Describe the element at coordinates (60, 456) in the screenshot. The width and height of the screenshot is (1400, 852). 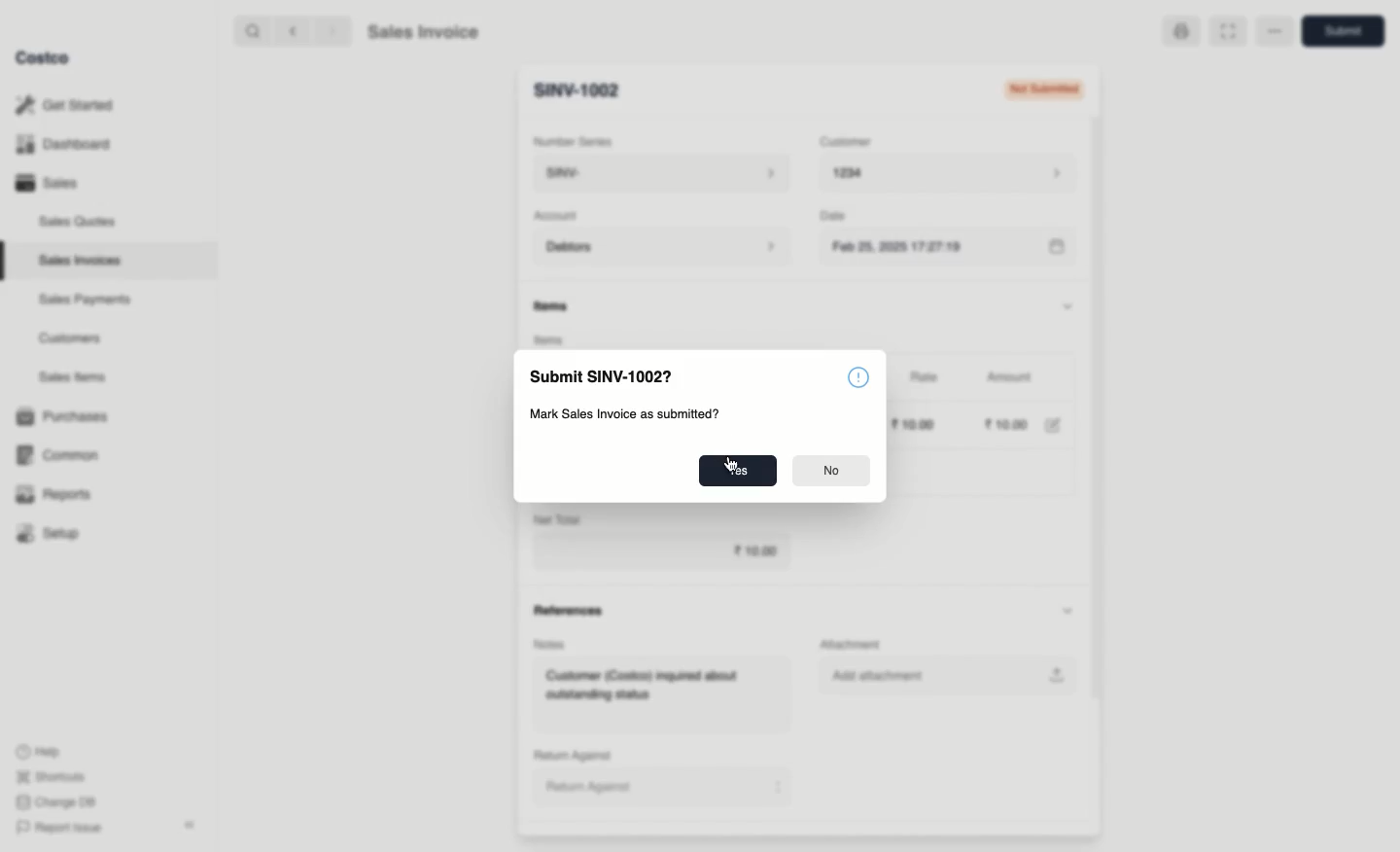
I see `Common` at that location.